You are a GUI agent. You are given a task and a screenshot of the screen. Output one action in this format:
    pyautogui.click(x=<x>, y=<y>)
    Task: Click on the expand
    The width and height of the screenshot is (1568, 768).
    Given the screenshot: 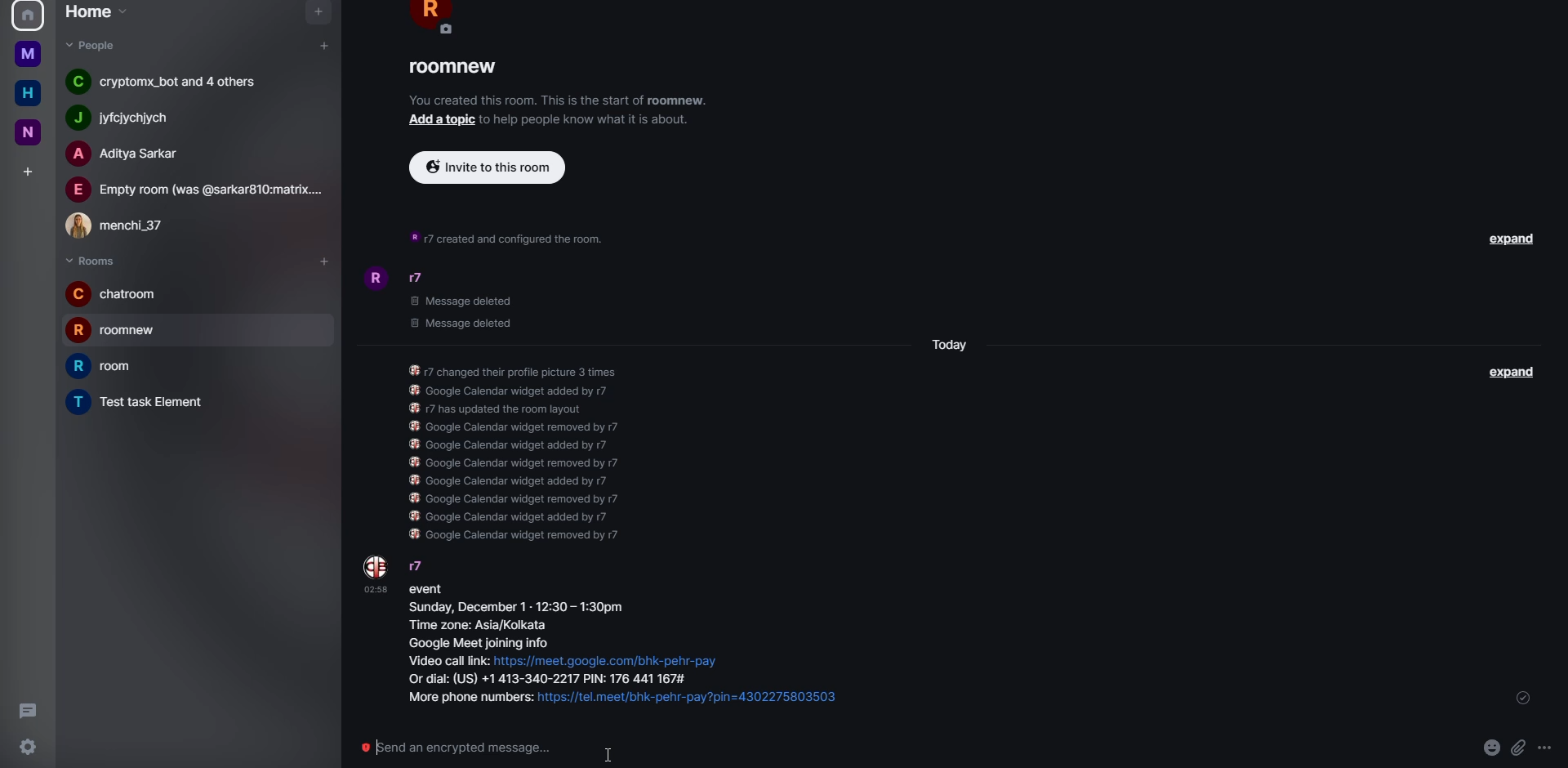 What is the action you would take?
    pyautogui.click(x=1510, y=373)
    